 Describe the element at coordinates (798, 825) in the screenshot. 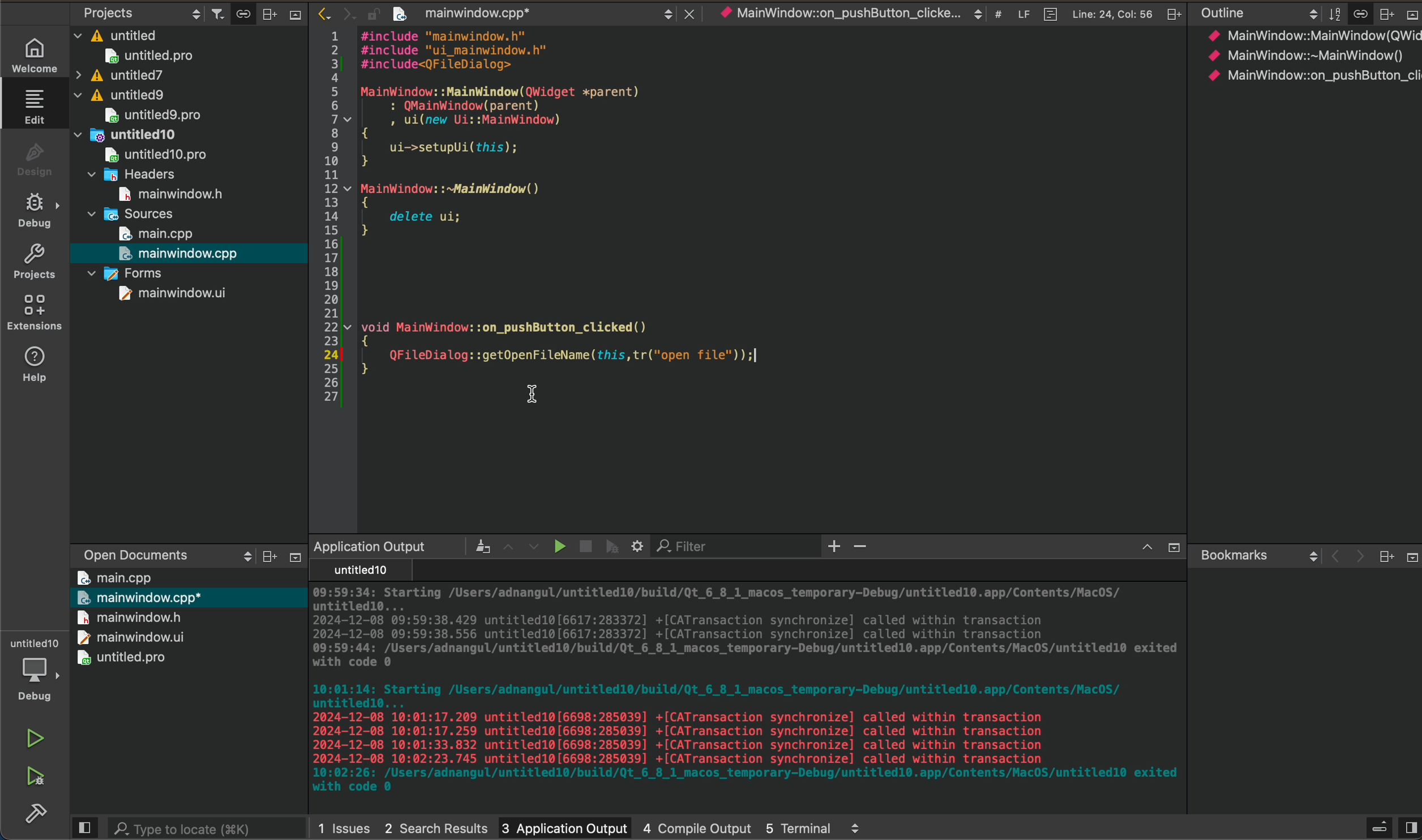

I see `5 terminal` at that location.